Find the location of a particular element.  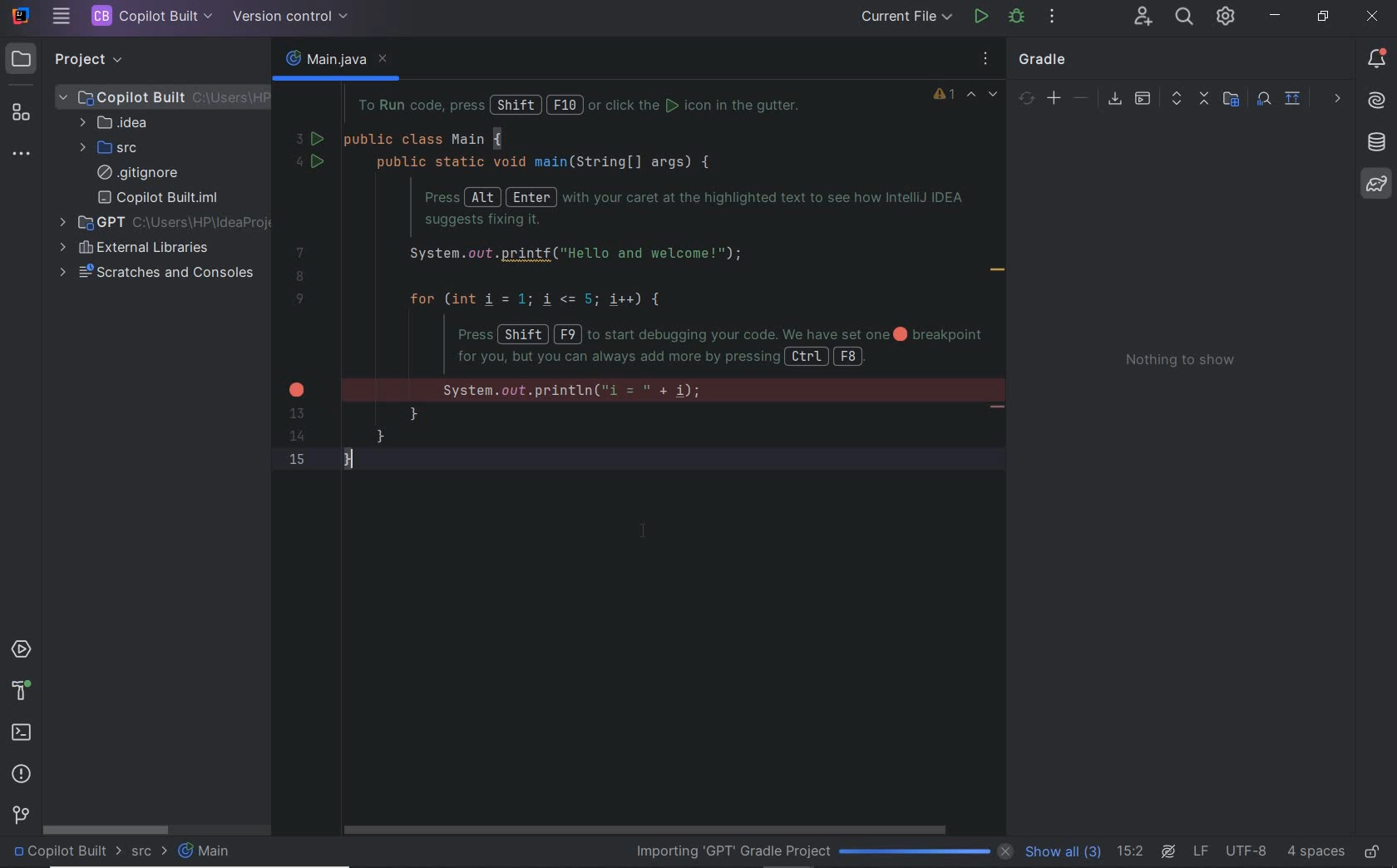

AI Assistant is located at coordinates (1167, 851).